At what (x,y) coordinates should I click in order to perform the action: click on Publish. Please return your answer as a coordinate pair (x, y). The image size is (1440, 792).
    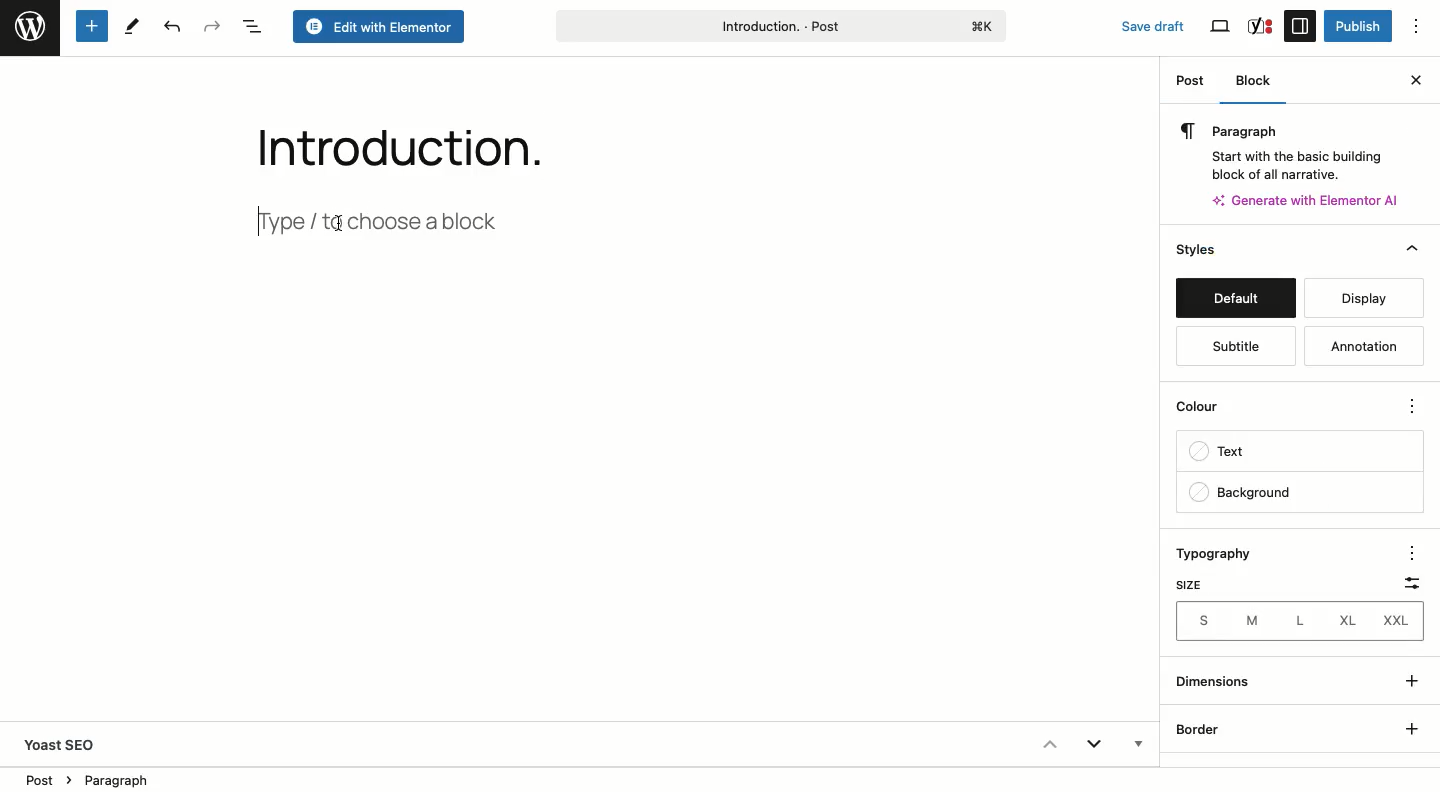
    Looking at the image, I should click on (1356, 26).